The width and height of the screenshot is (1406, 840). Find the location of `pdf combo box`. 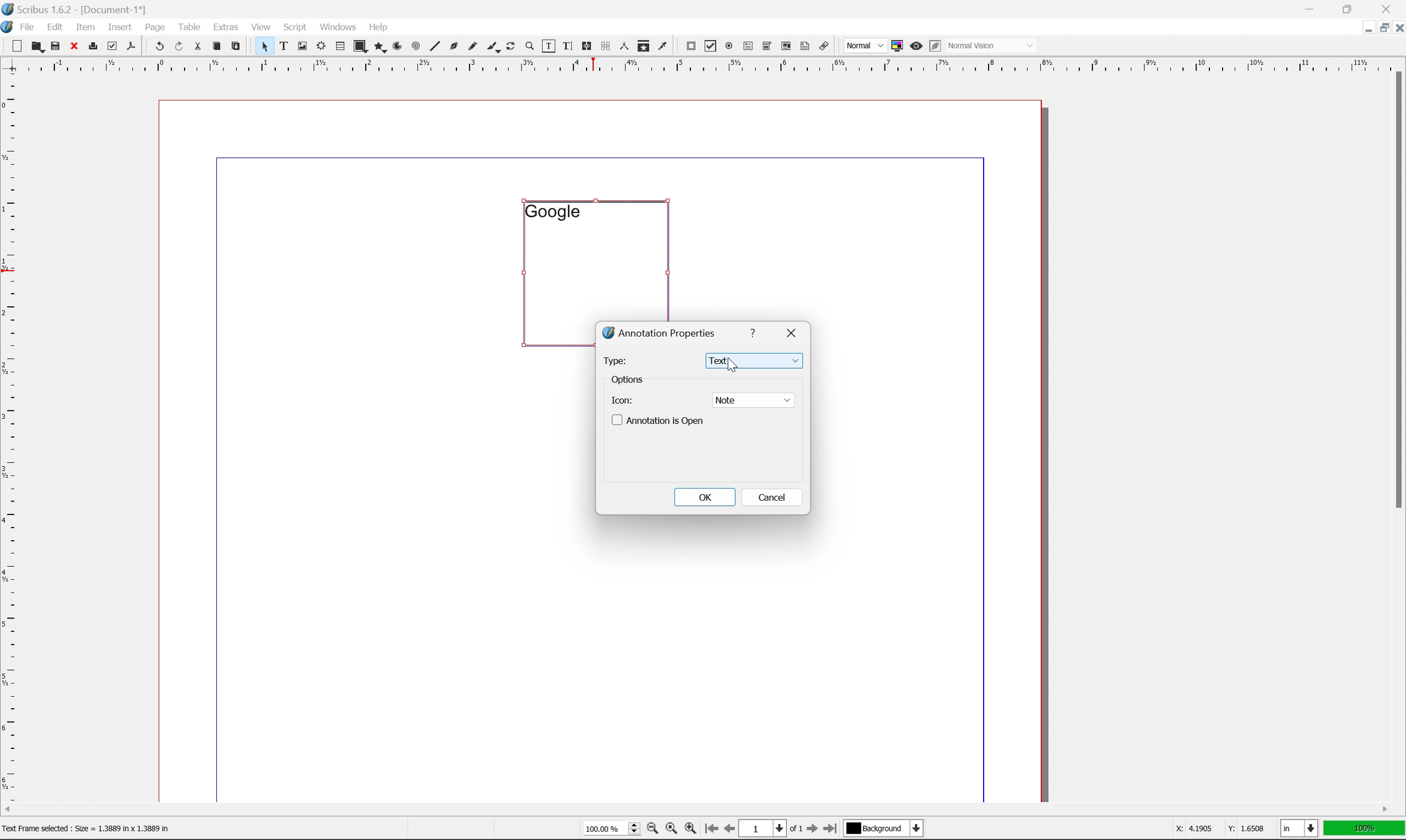

pdf combo box is located at coordinates (766, 47).